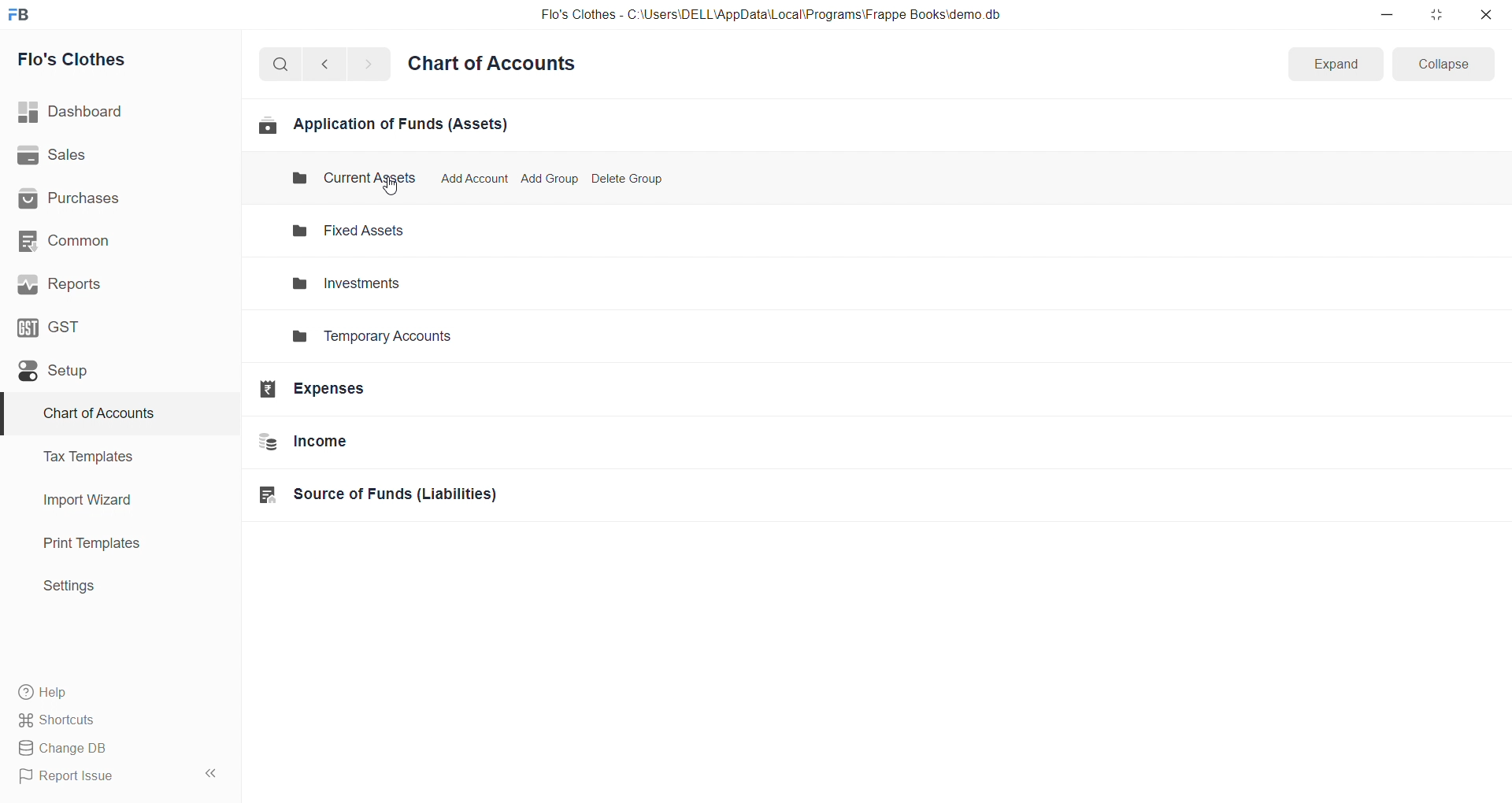 The height and width of the screenshot is (803, 1512). What do you see at coordinates (496, 65) in the screenshot?
I see `Chart of Accounts` at bounding box center [496, 65].